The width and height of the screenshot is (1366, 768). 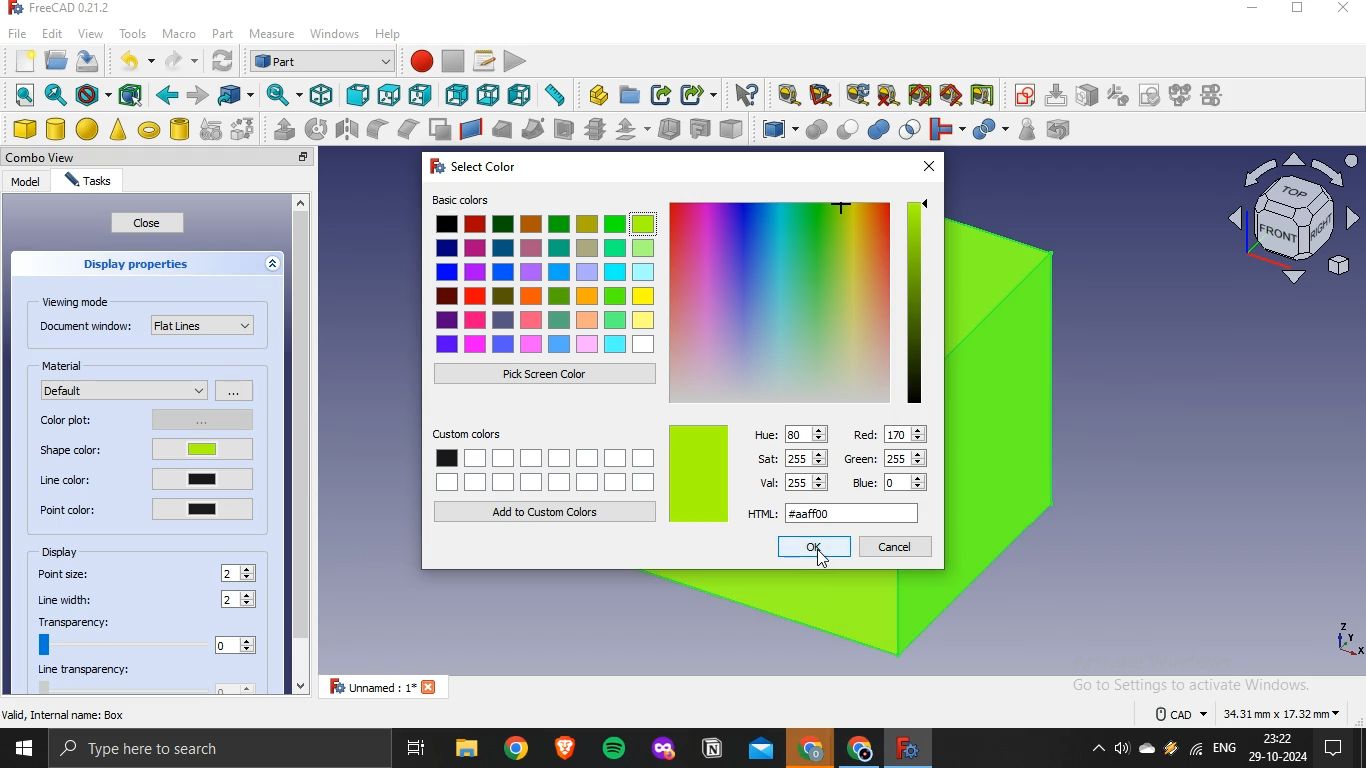 I want to click on right, so click(x=420, y=96).